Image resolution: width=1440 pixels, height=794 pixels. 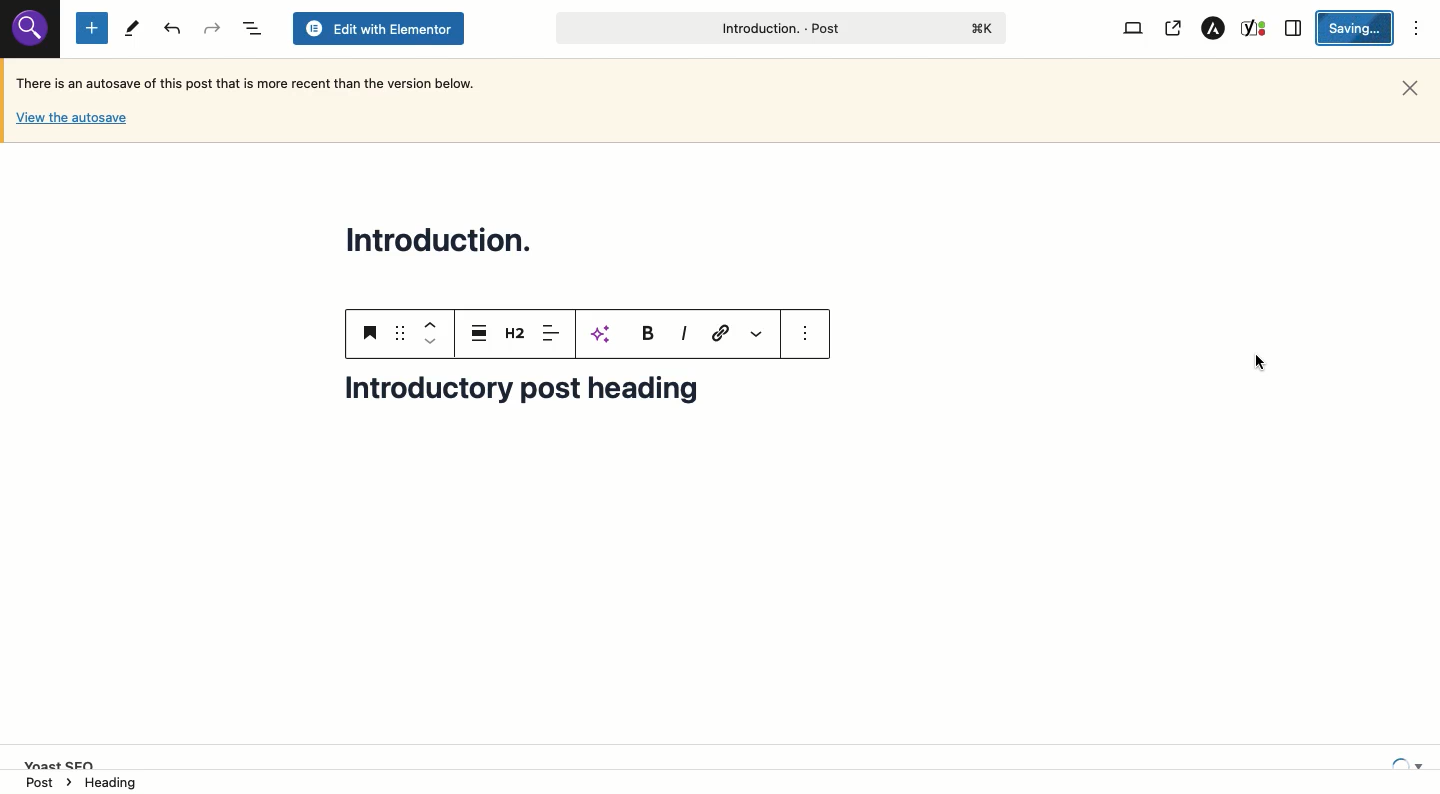 What do you see at coordinates (401, 332) in the screenshot?
I see `Drag` at bounding box center [401, 332].